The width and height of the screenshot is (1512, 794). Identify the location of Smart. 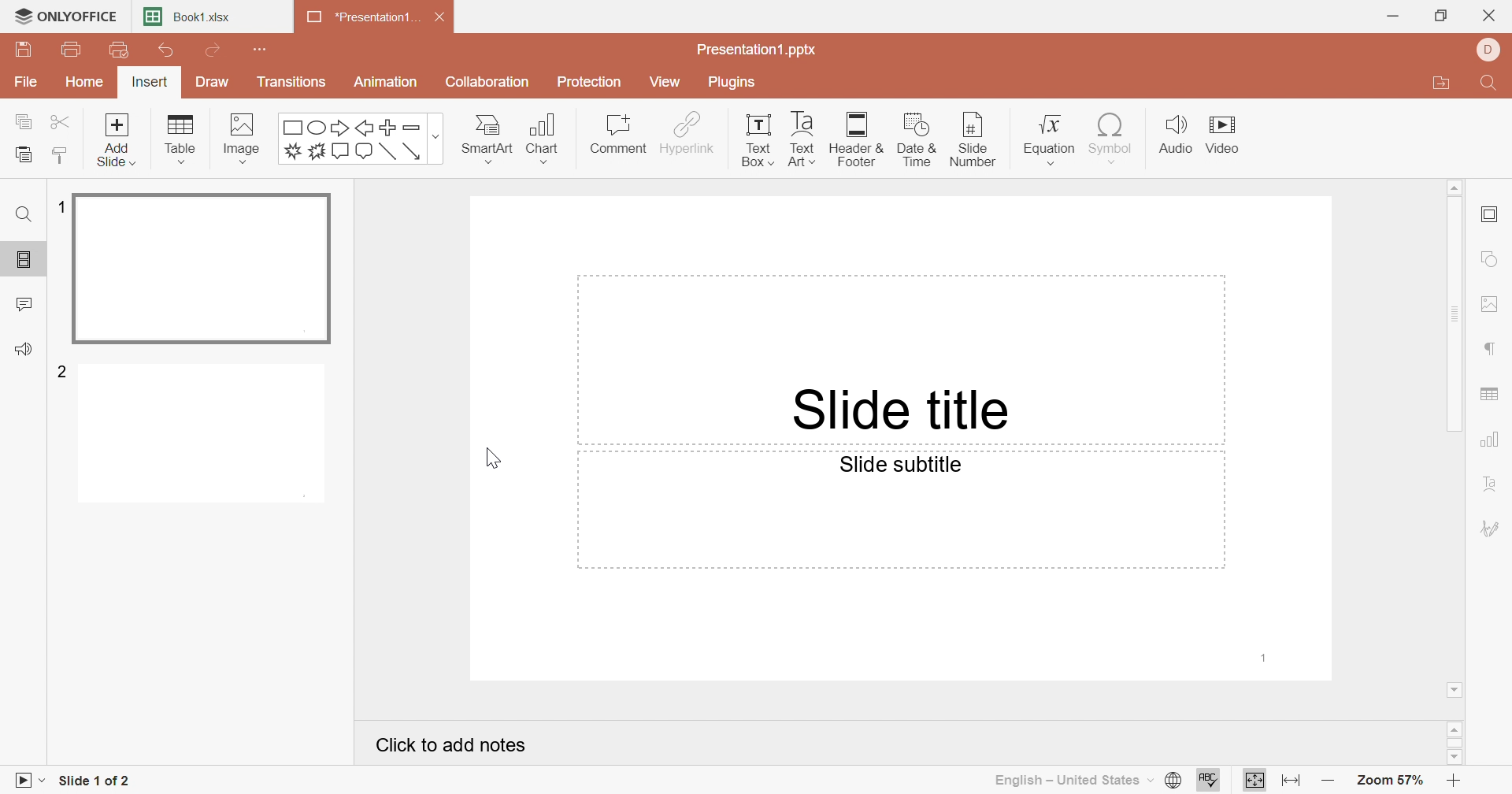
(486, 135).